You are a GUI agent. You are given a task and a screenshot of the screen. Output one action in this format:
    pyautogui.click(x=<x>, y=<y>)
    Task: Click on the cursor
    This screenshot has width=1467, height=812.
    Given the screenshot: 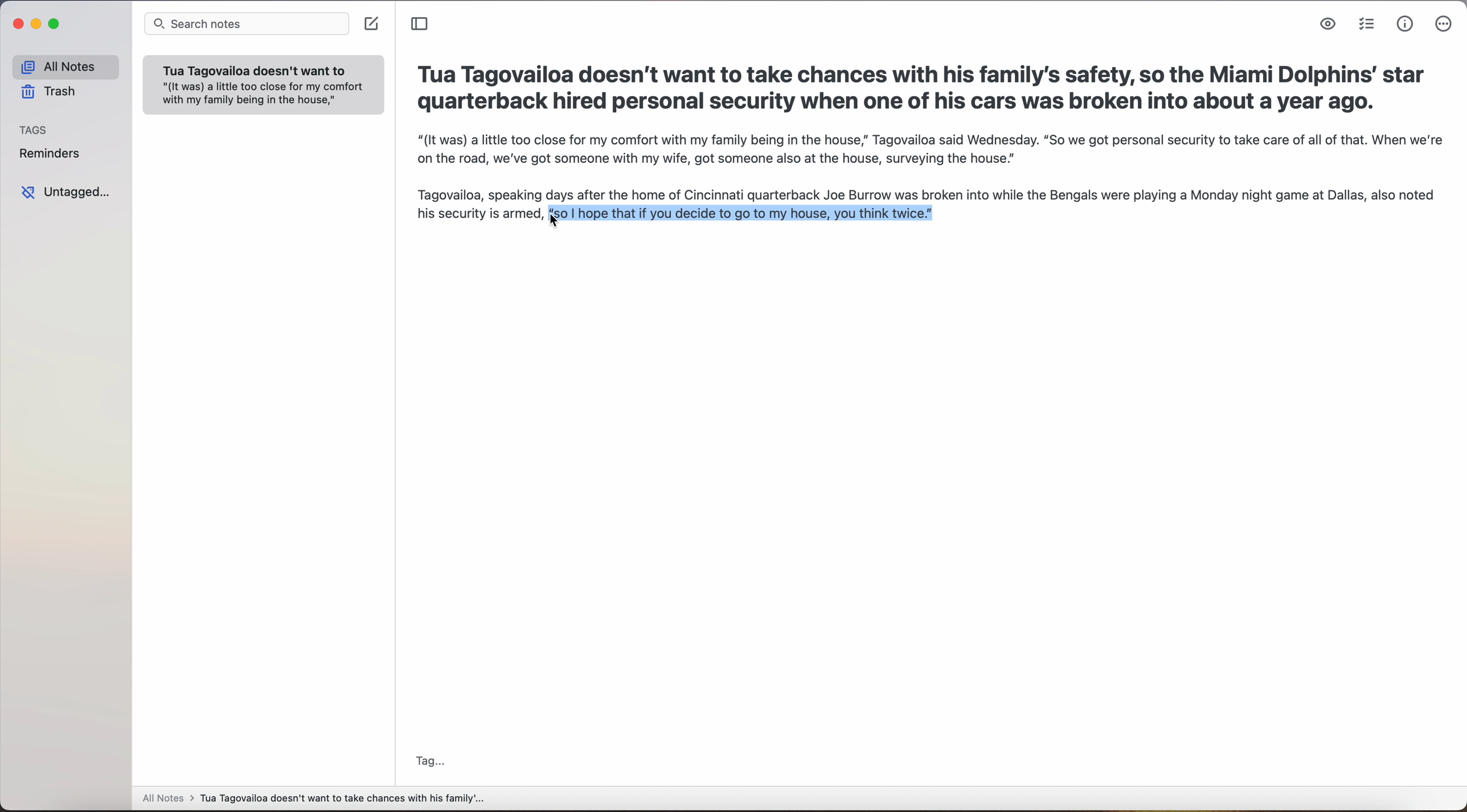 What is the action you would take?
    pyautogui.click(x=551, y=226)
    